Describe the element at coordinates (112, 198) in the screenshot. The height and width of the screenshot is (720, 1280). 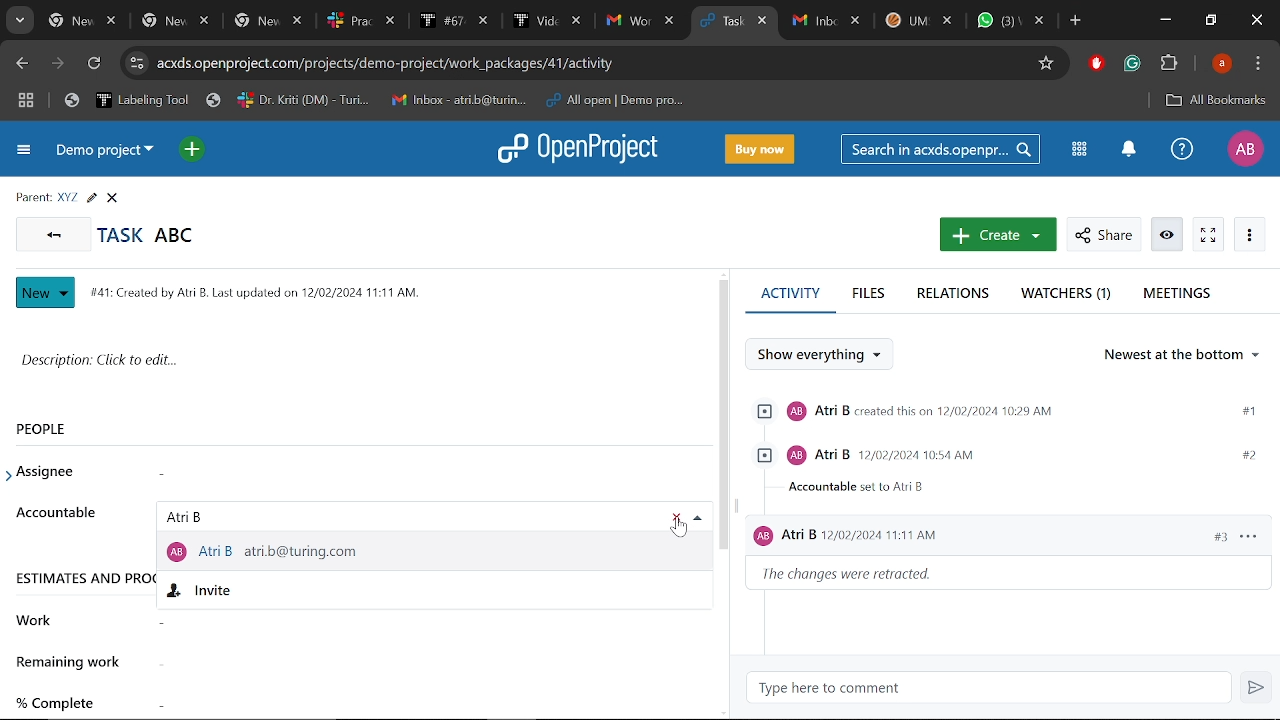
I see `Close` at that location.